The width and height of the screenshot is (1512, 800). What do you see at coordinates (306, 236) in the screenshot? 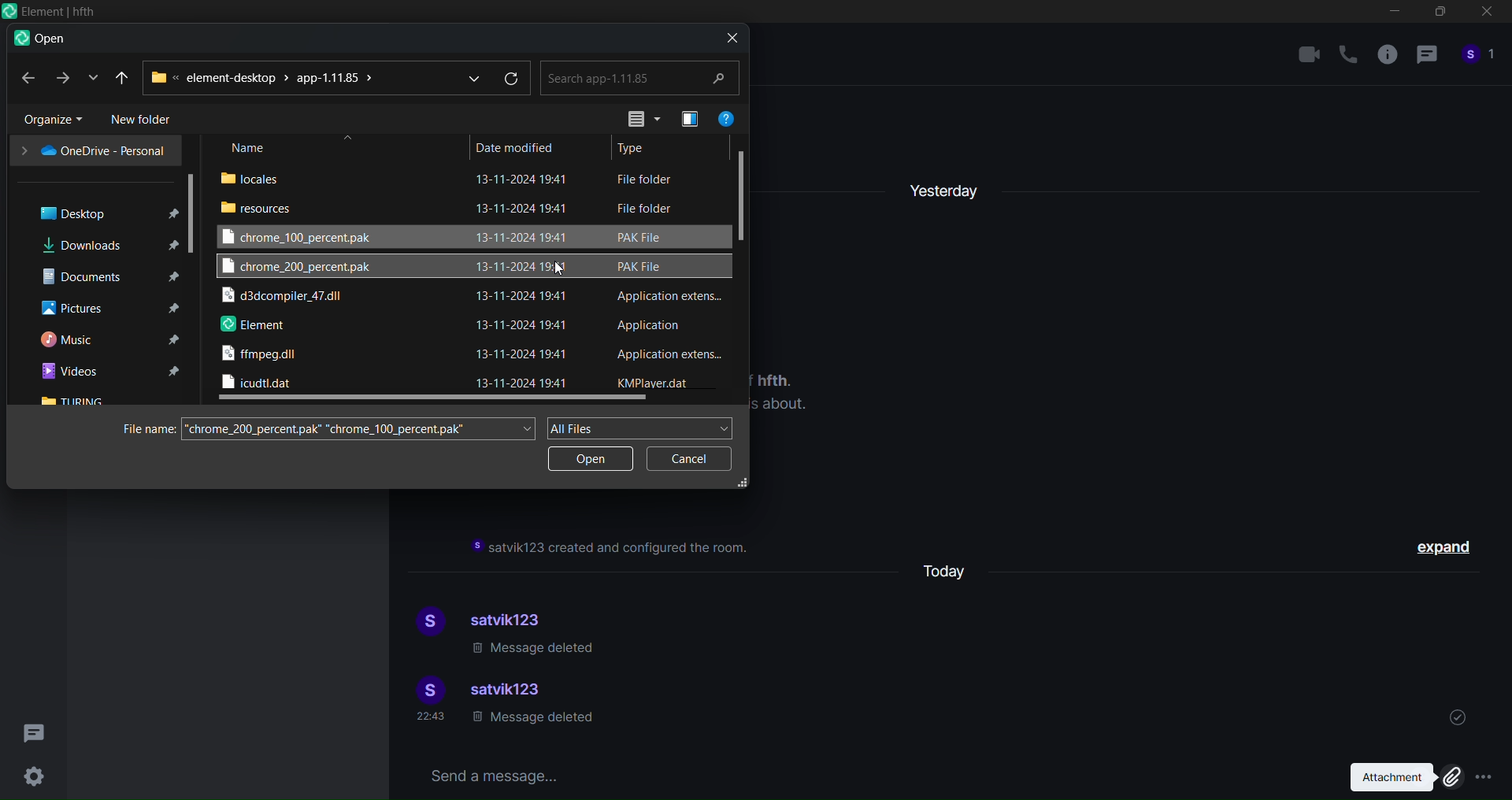
I see `chrome 100` at bounding box center [306, 236].